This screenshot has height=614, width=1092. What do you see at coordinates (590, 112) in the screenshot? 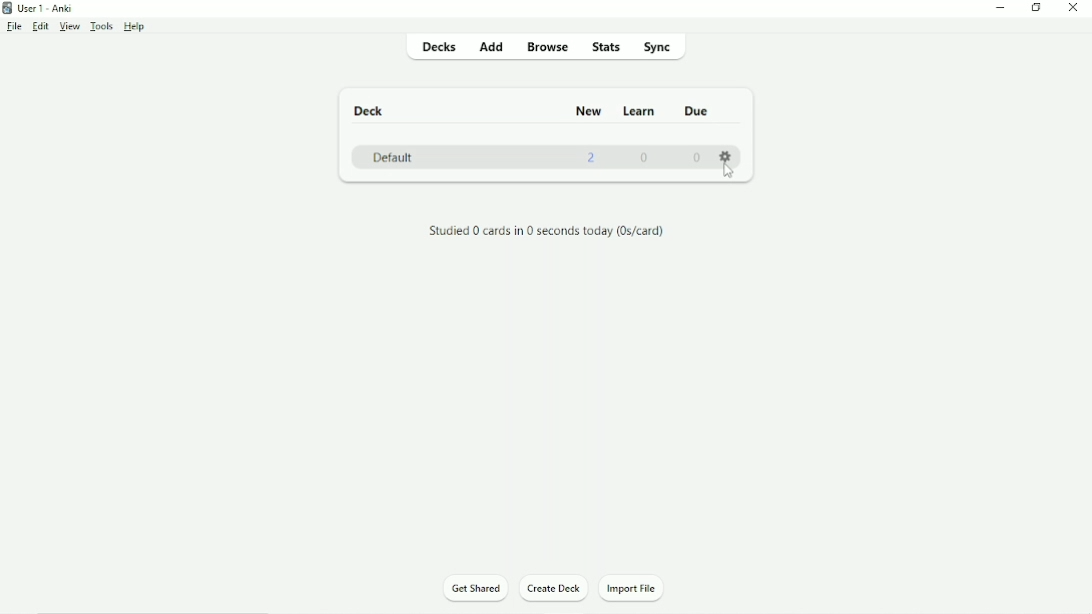
I see `New` at bounding box center [590, 112].